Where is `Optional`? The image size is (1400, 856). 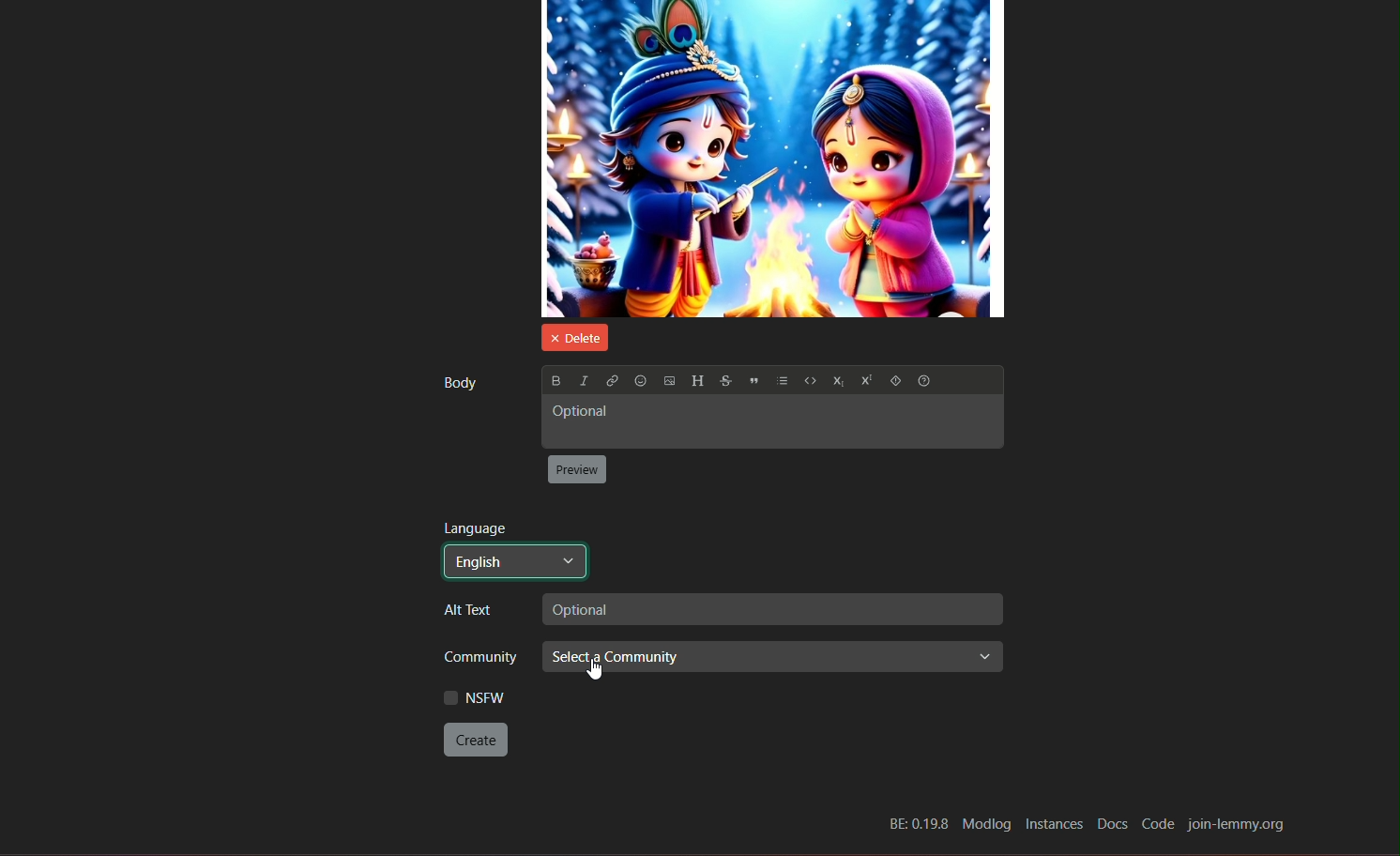 Optional is located at coordinates (770, 421).